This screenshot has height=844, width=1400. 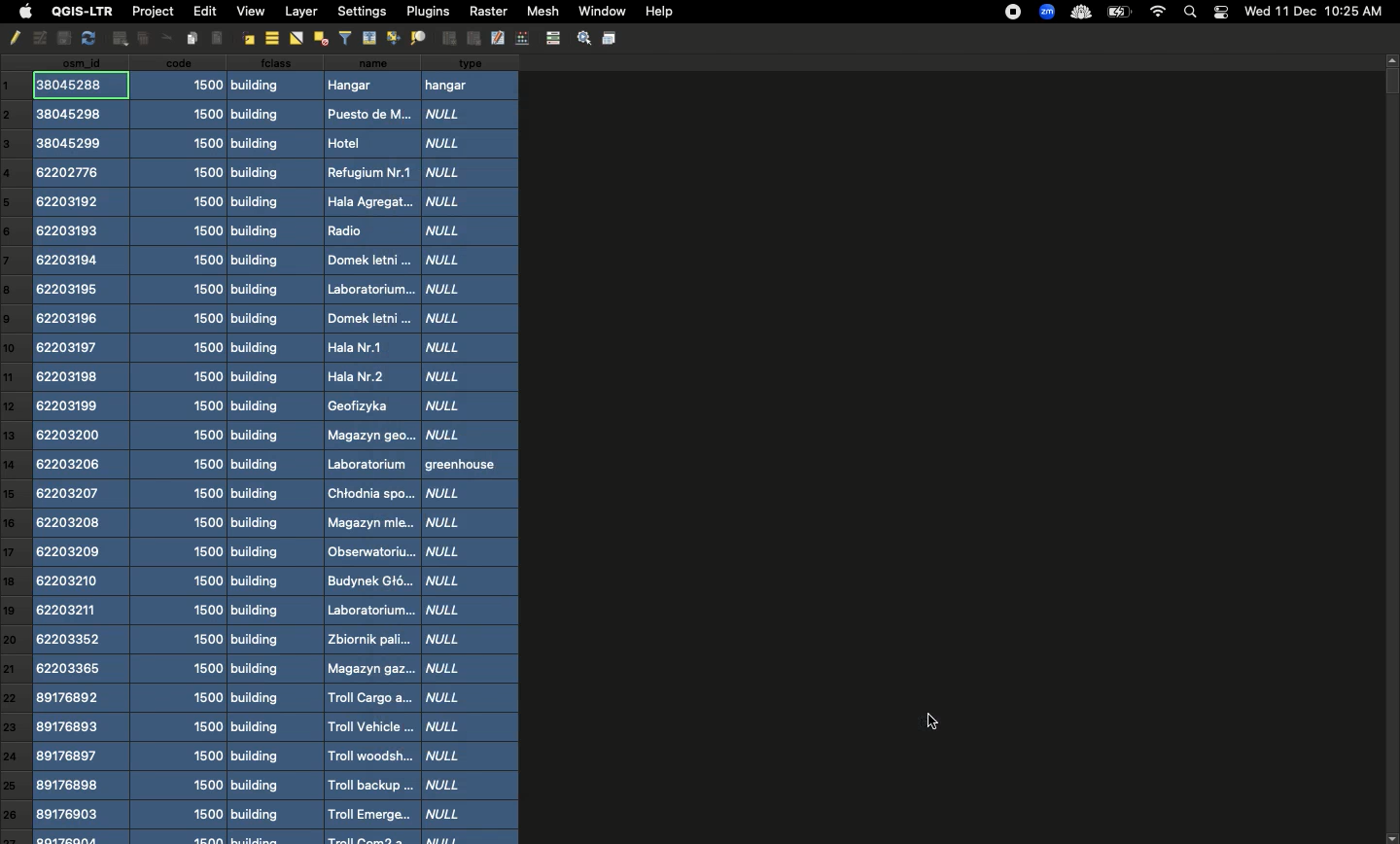 I want to click on Charge, so click(x=1118, y=13).